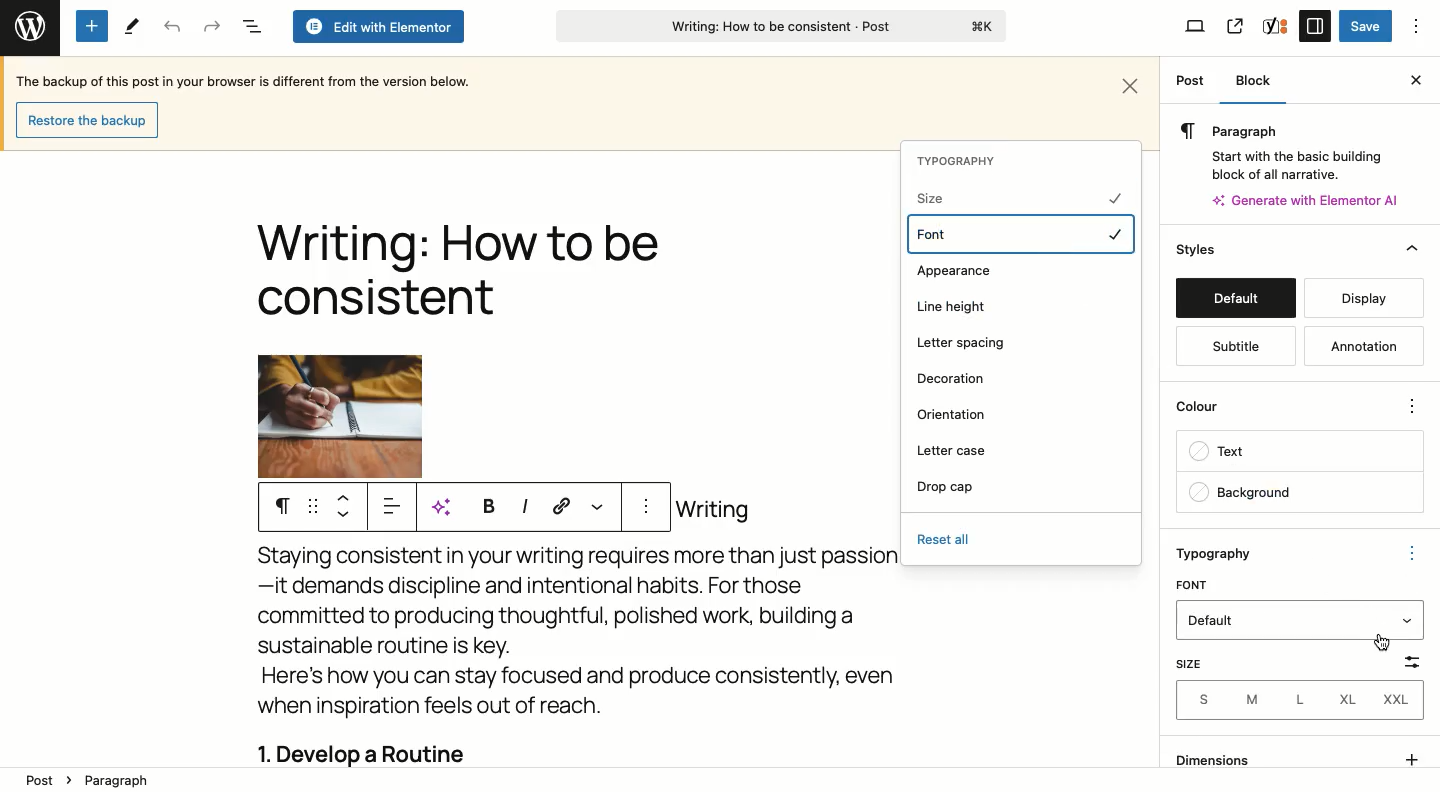 The width and height of the screenshot is (1440, 792). What do you see at coordinates (955, 307) in the screenshot?
I see `Line height` at bounding box center [955, 307].